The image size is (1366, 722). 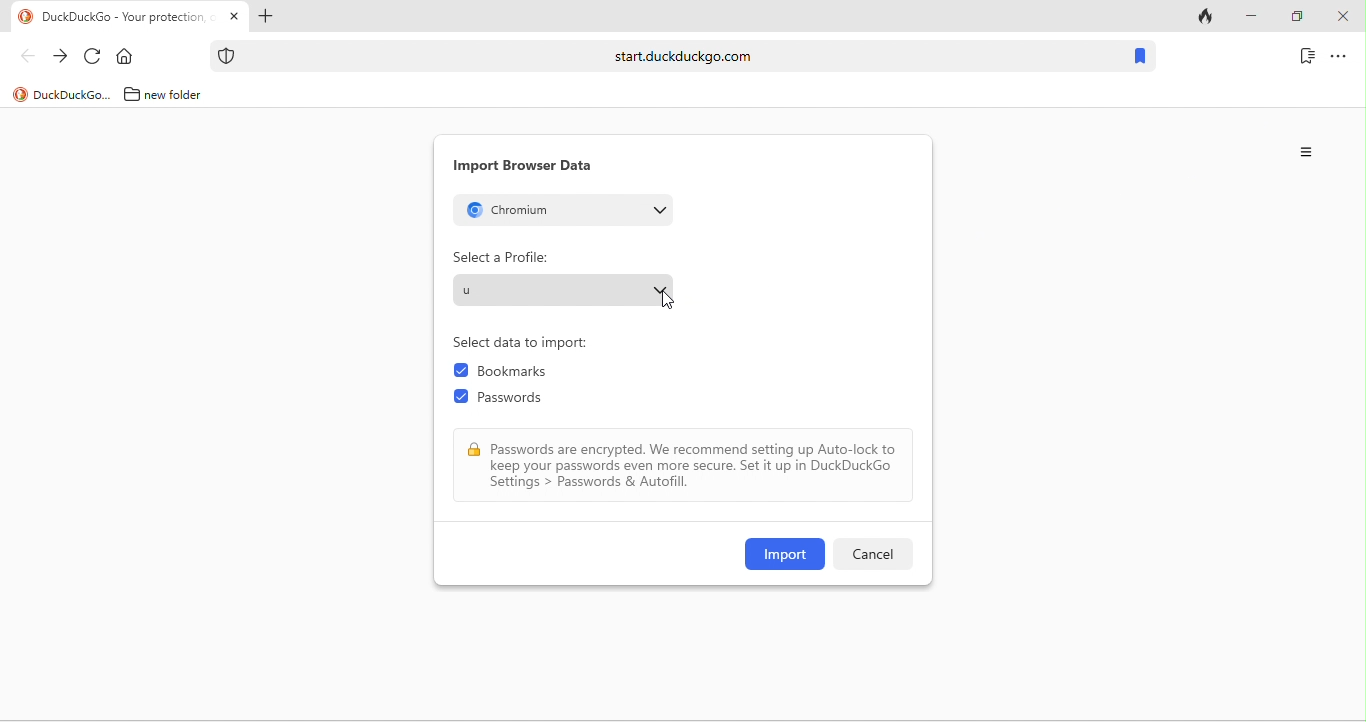 I want to click on option, so click(x=1339, y=55).